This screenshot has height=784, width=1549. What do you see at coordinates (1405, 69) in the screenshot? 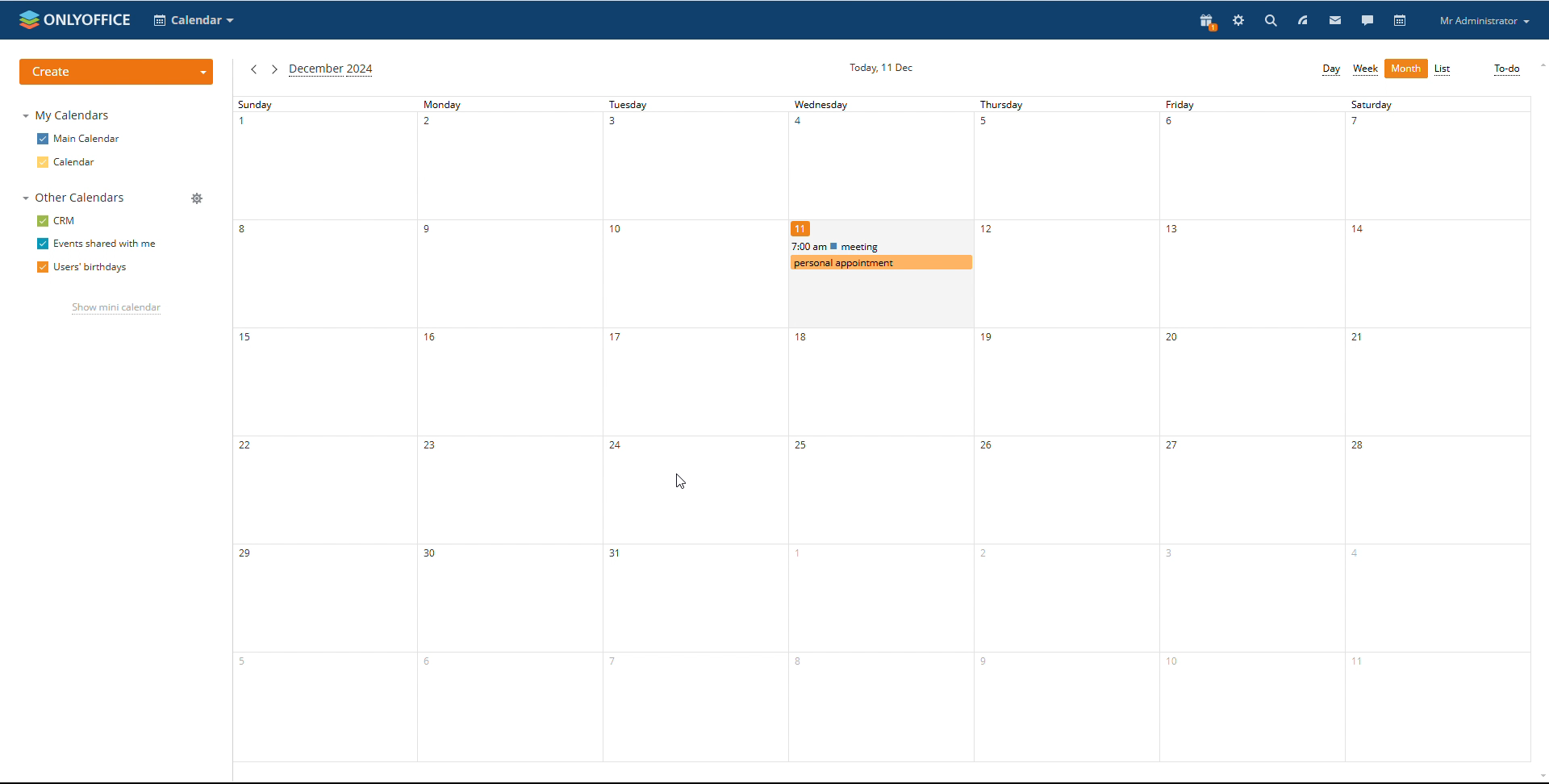
I see `month` at bounding box center [1405, 69].